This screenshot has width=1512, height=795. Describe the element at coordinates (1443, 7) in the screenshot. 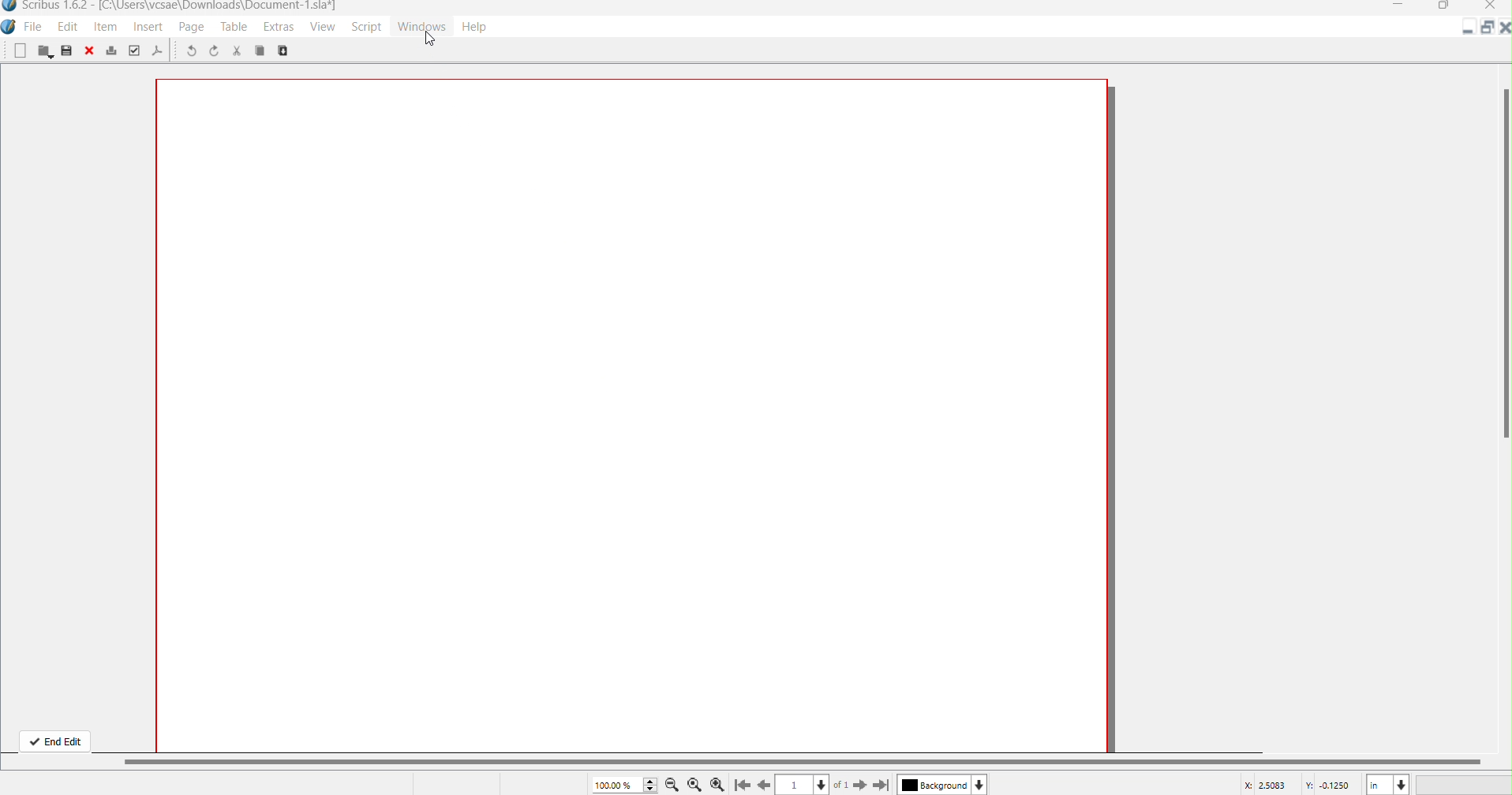

I see `Box` at that location.